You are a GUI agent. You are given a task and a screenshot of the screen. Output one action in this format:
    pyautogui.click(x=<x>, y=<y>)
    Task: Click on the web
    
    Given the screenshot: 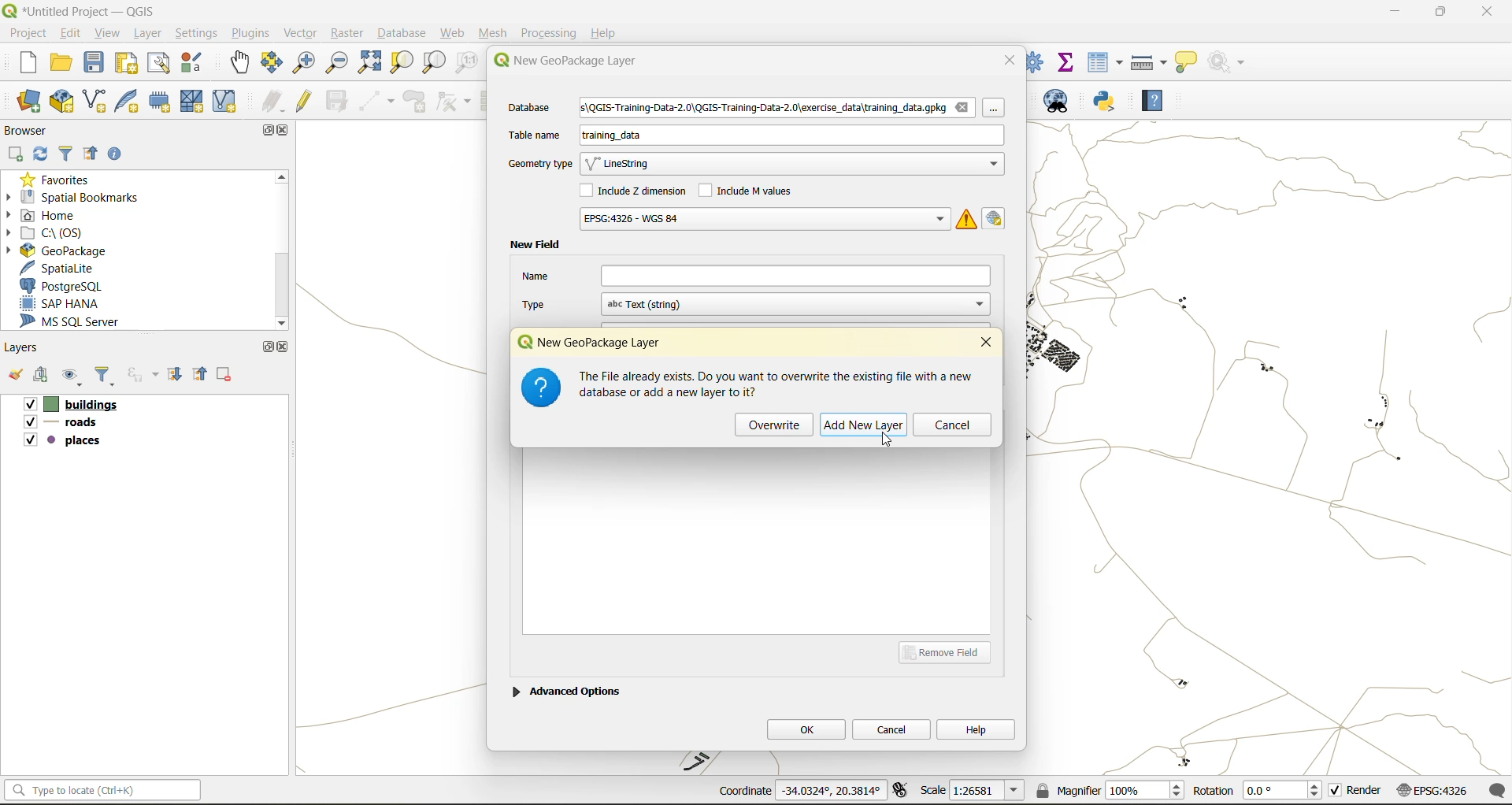 What is the action you would take?
    pyautogui.click(x=454, y=33)
    